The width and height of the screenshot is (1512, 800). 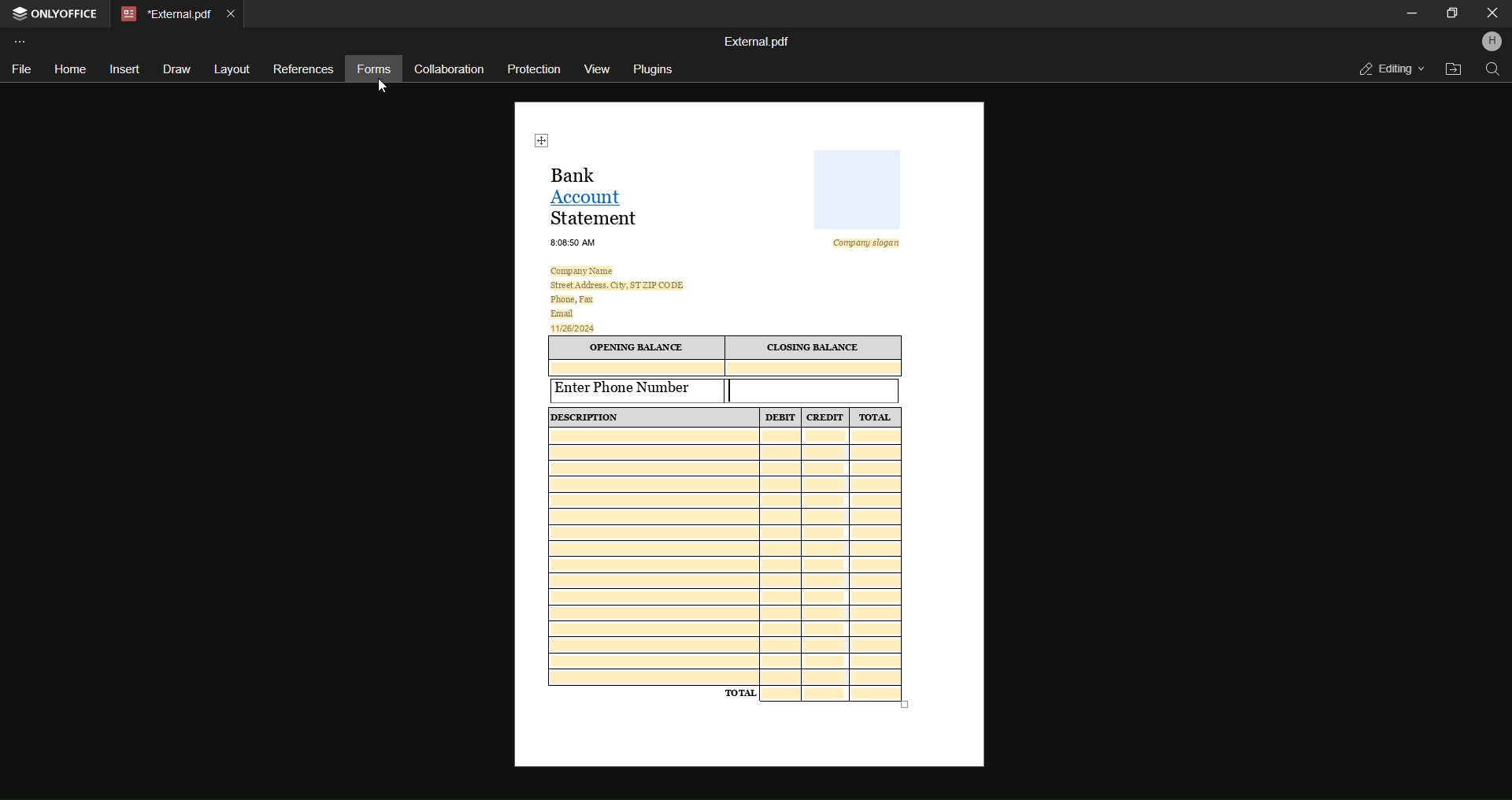 What do you see at coordinates (735, 392) in the screenshot?
I see `Text cursor` at bounding box center [735, 392].